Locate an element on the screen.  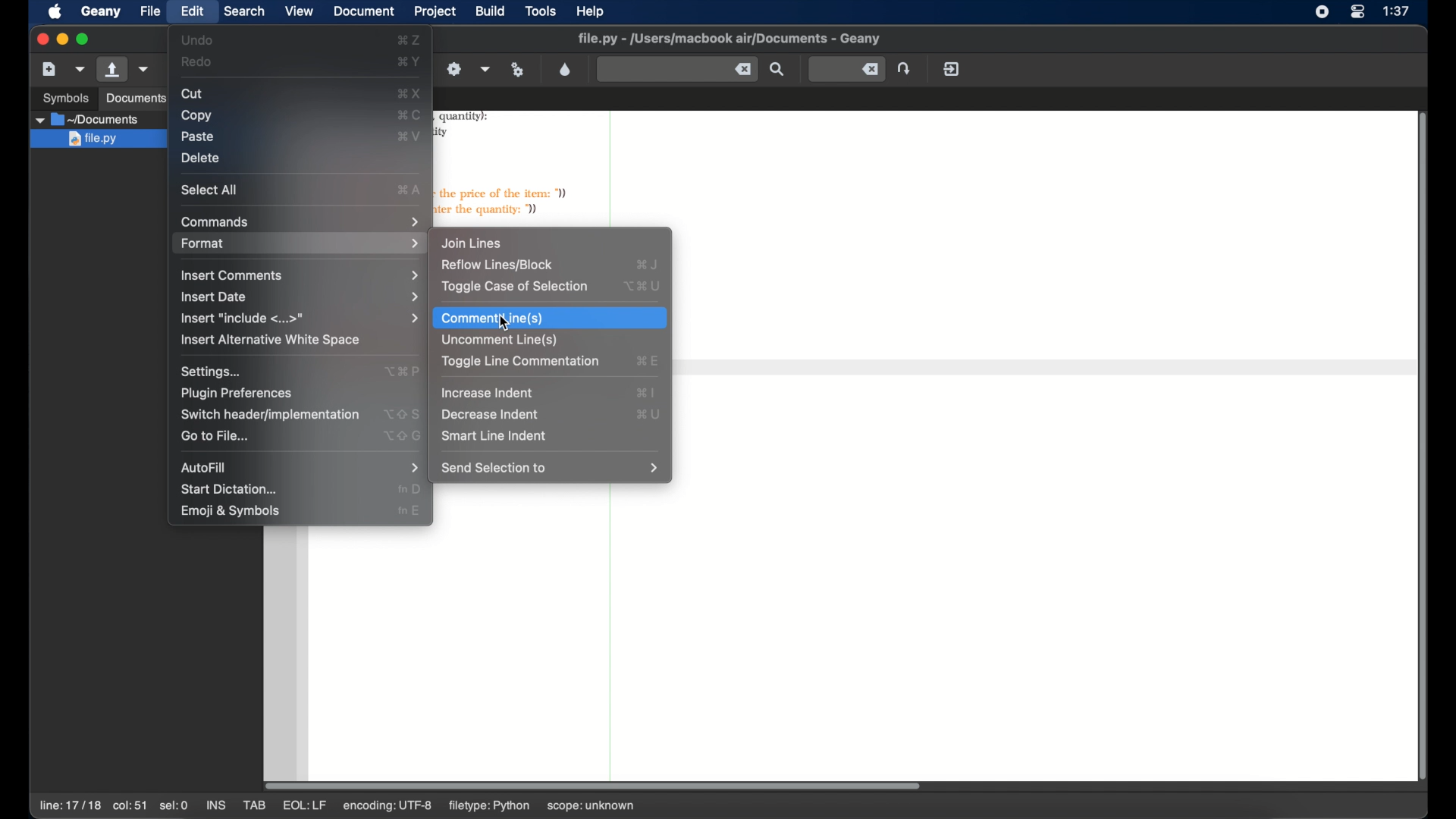
quit geany is located at coordinates (951, 68).